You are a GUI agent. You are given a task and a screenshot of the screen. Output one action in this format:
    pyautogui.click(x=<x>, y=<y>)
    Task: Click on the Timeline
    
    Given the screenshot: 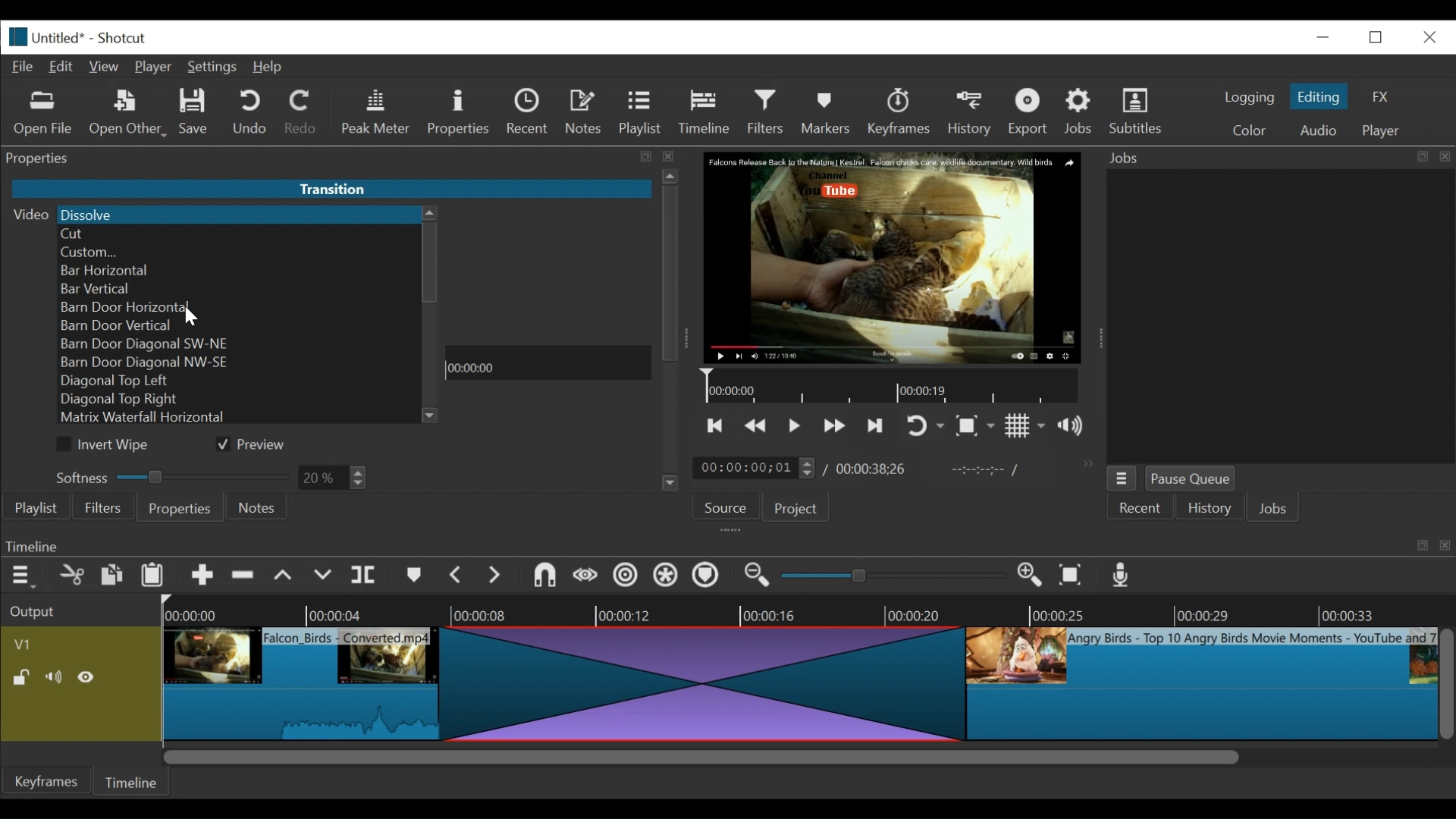 What is the action you would take?
    pyautogui.click(x=548, y=363)
    